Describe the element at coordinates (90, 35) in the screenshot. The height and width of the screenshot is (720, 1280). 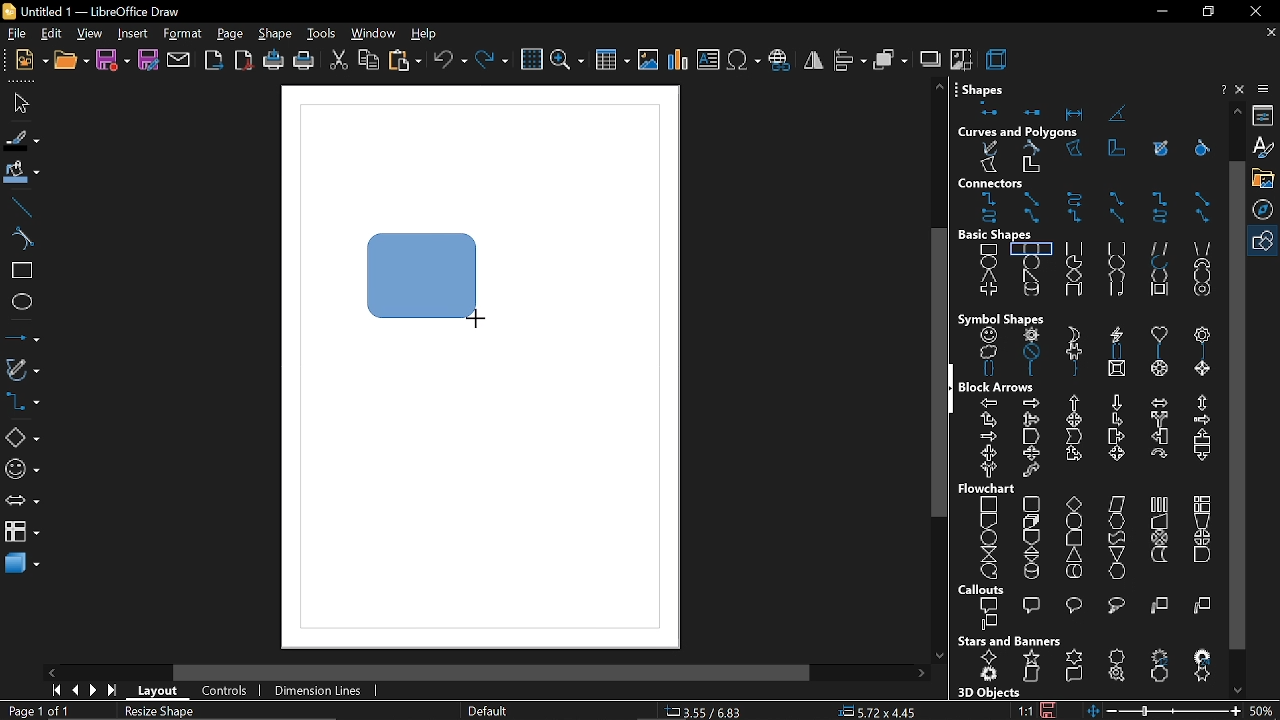
I see `view` at that location.